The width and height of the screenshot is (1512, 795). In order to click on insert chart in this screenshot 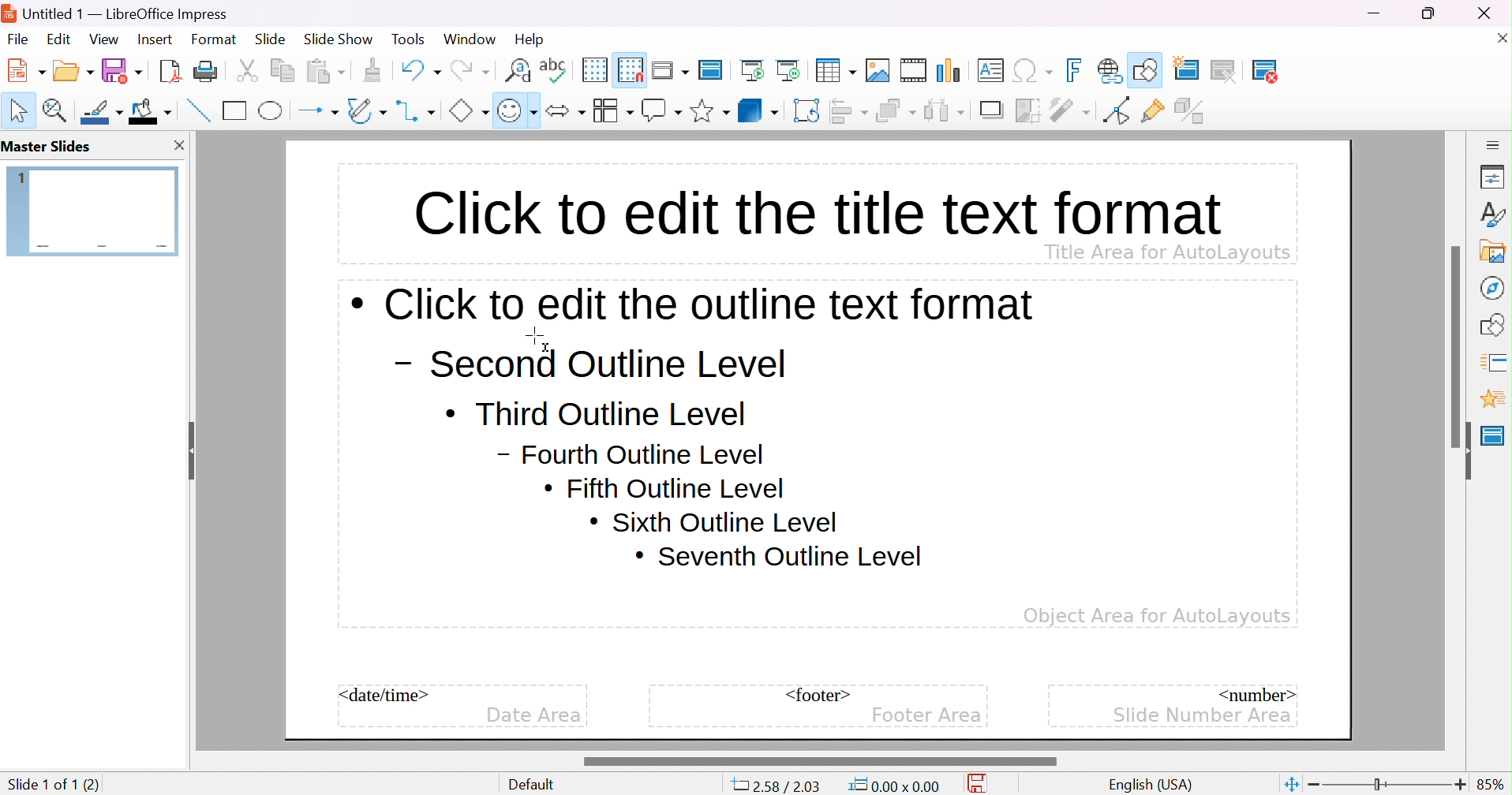, I will do `click(951, 70)`.